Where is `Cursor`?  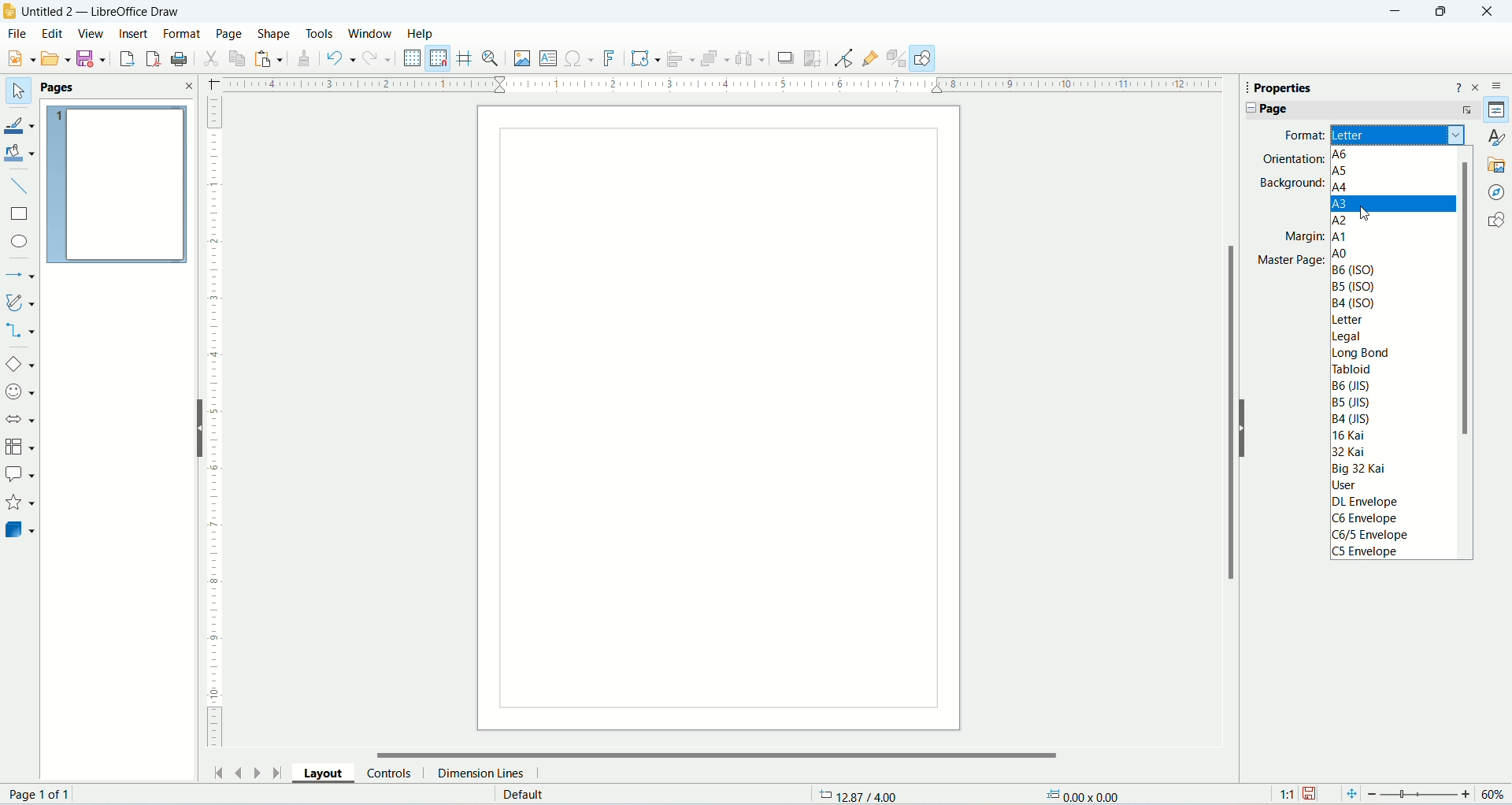 Cursor is located at coordinates (1372, 216).